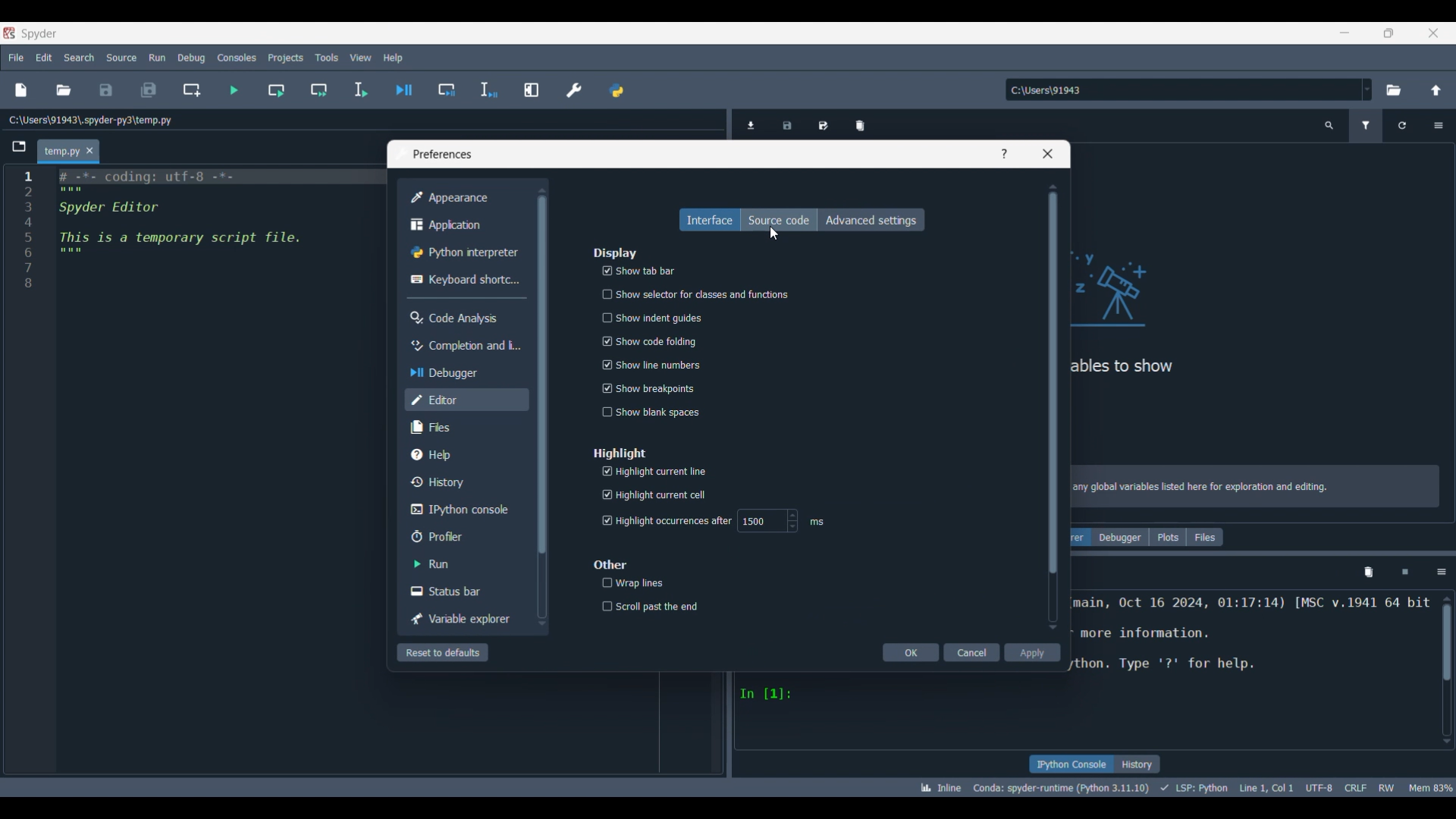 The image size is (1456, 819). Describe the element at coordinates (773, 234) in the screenshot. I see `cursor` at that location.